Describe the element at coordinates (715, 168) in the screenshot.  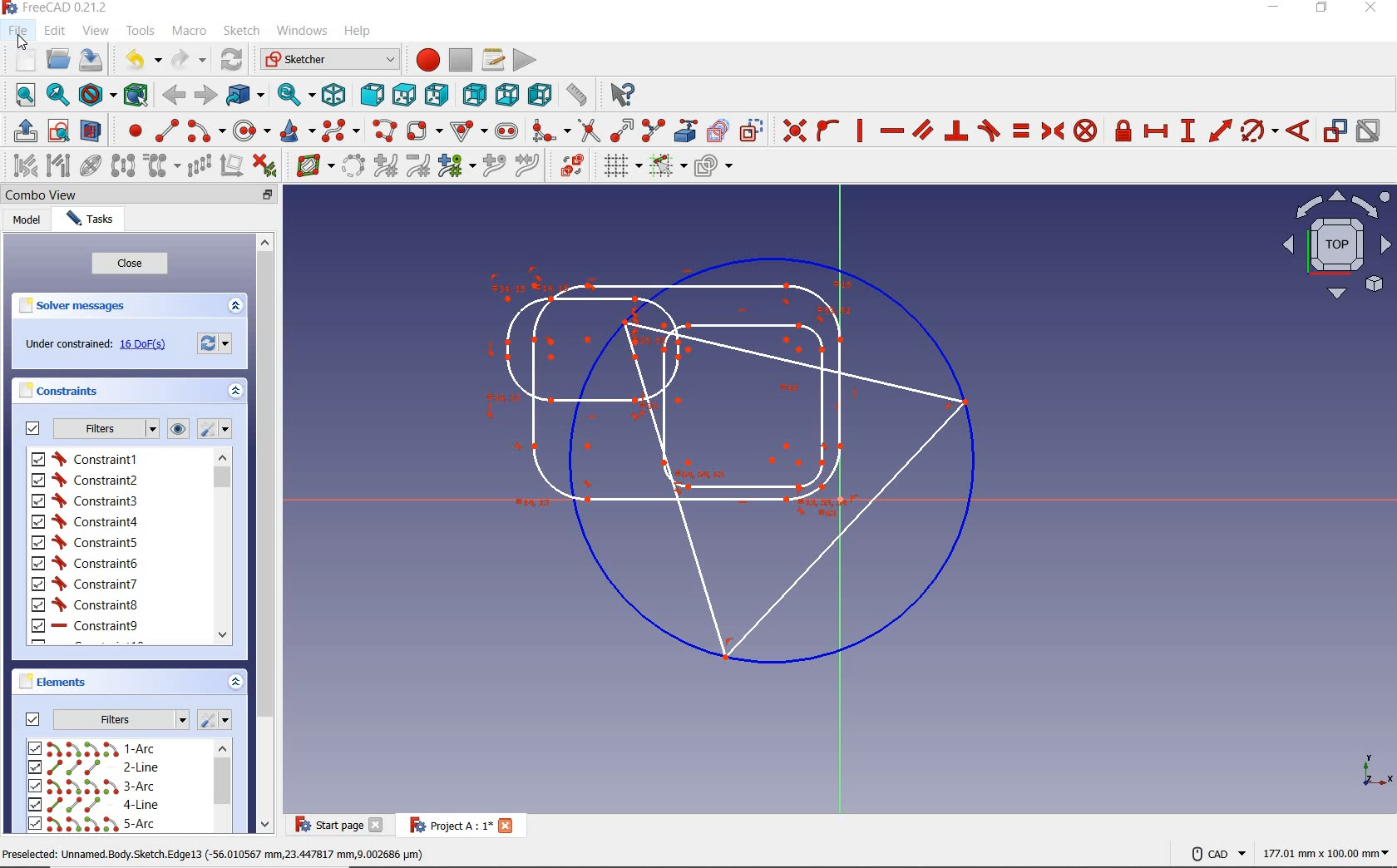
I see `configure rendering order` at that location.